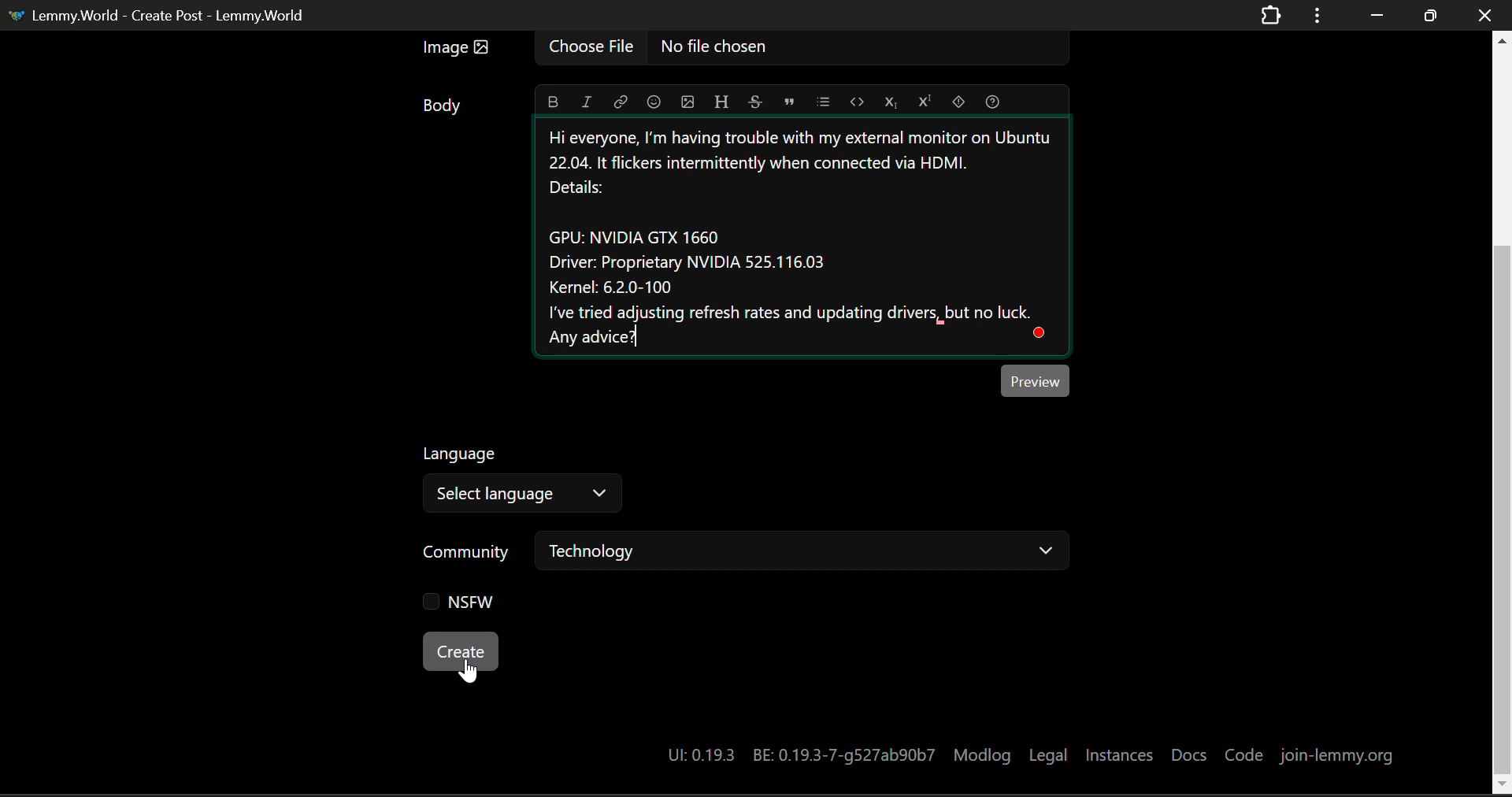 The width and height of the screenshot is (1512, 797). Describe the element at coordinates (461, 606) in the screenshot. I see `NSFW Checkbox` at that location.